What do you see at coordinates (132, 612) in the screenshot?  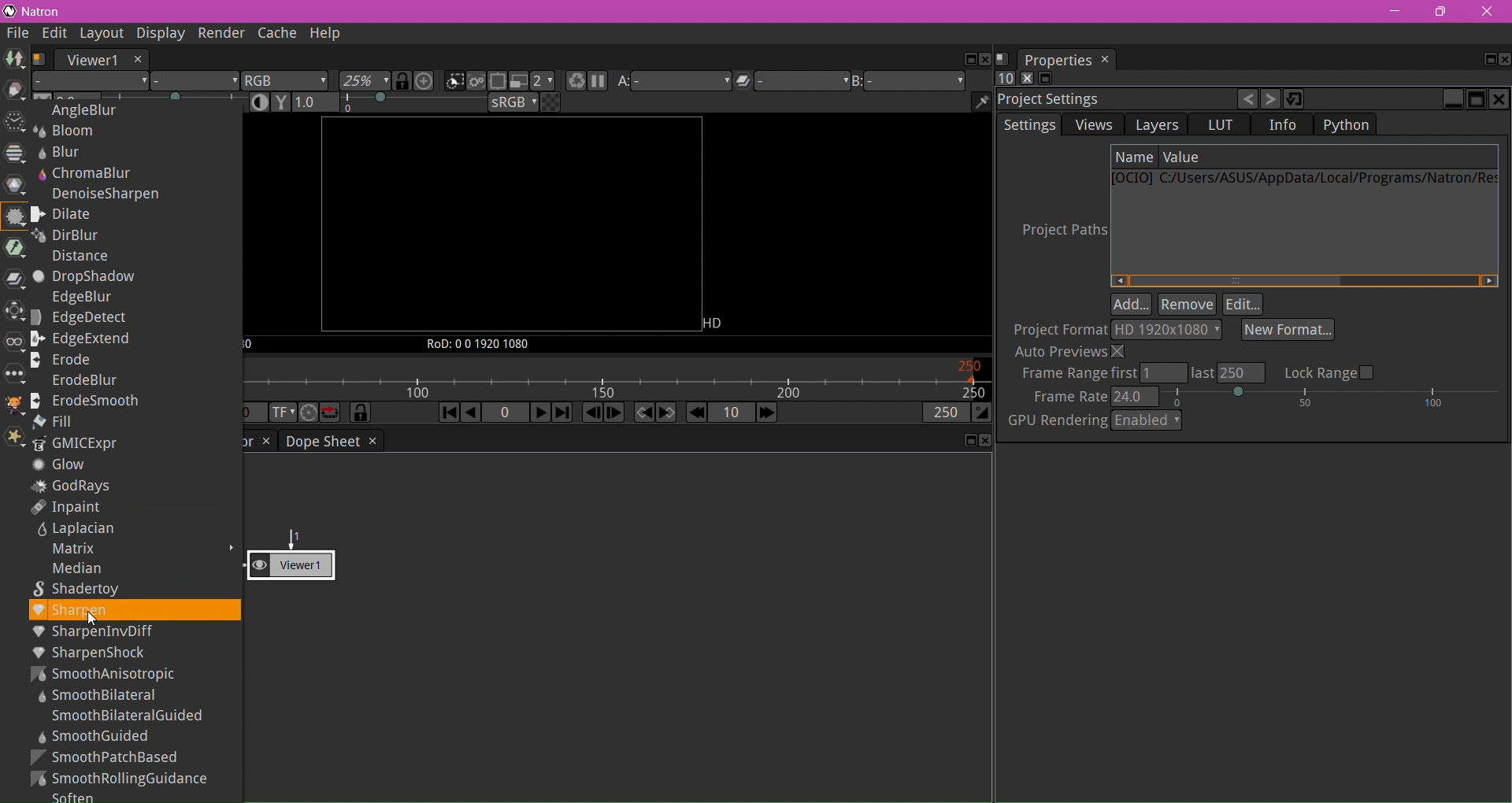 I see `Sharpen` at bounding box center [132, 612].